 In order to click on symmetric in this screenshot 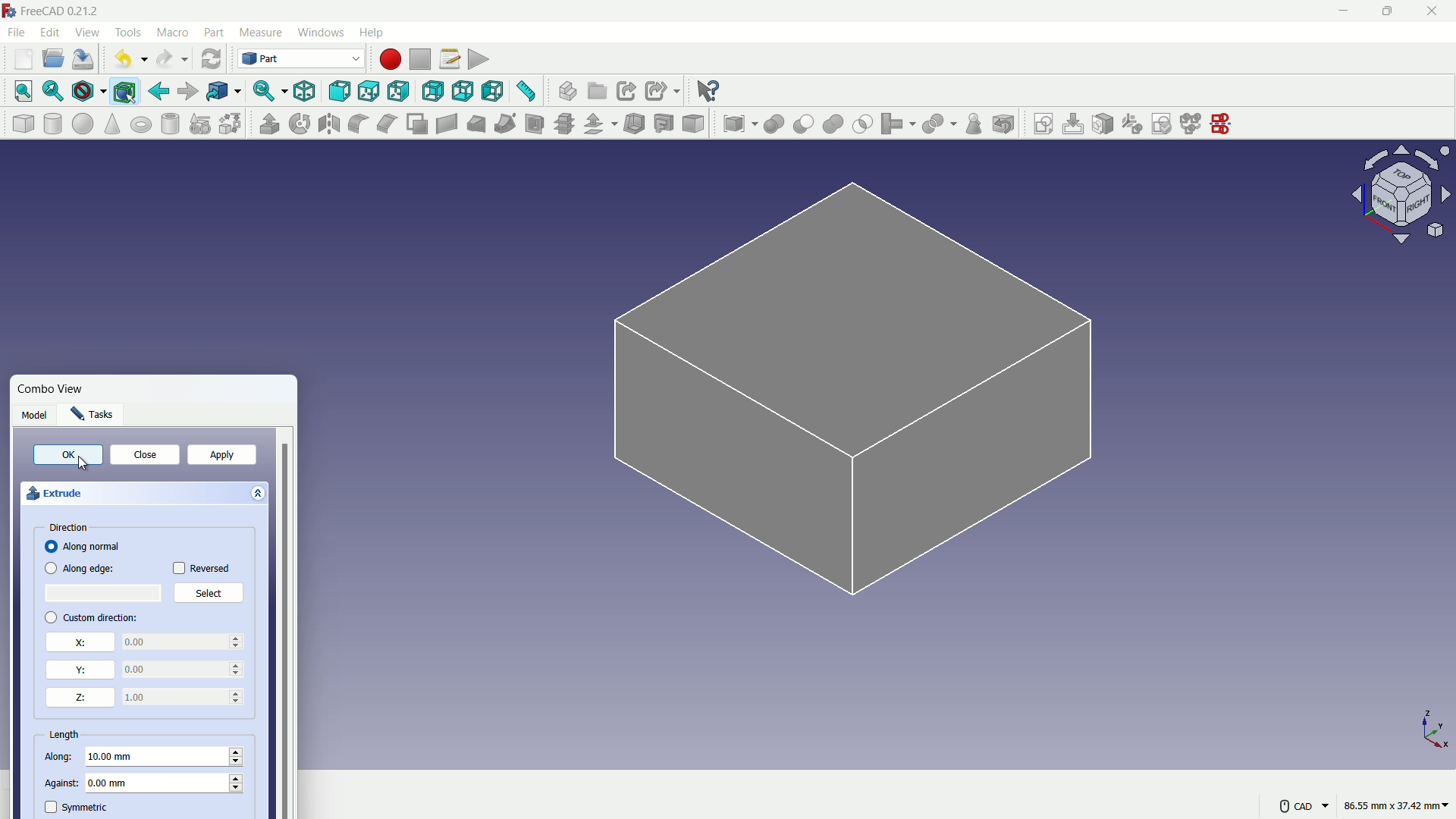, I will do `click(91, 808)`.